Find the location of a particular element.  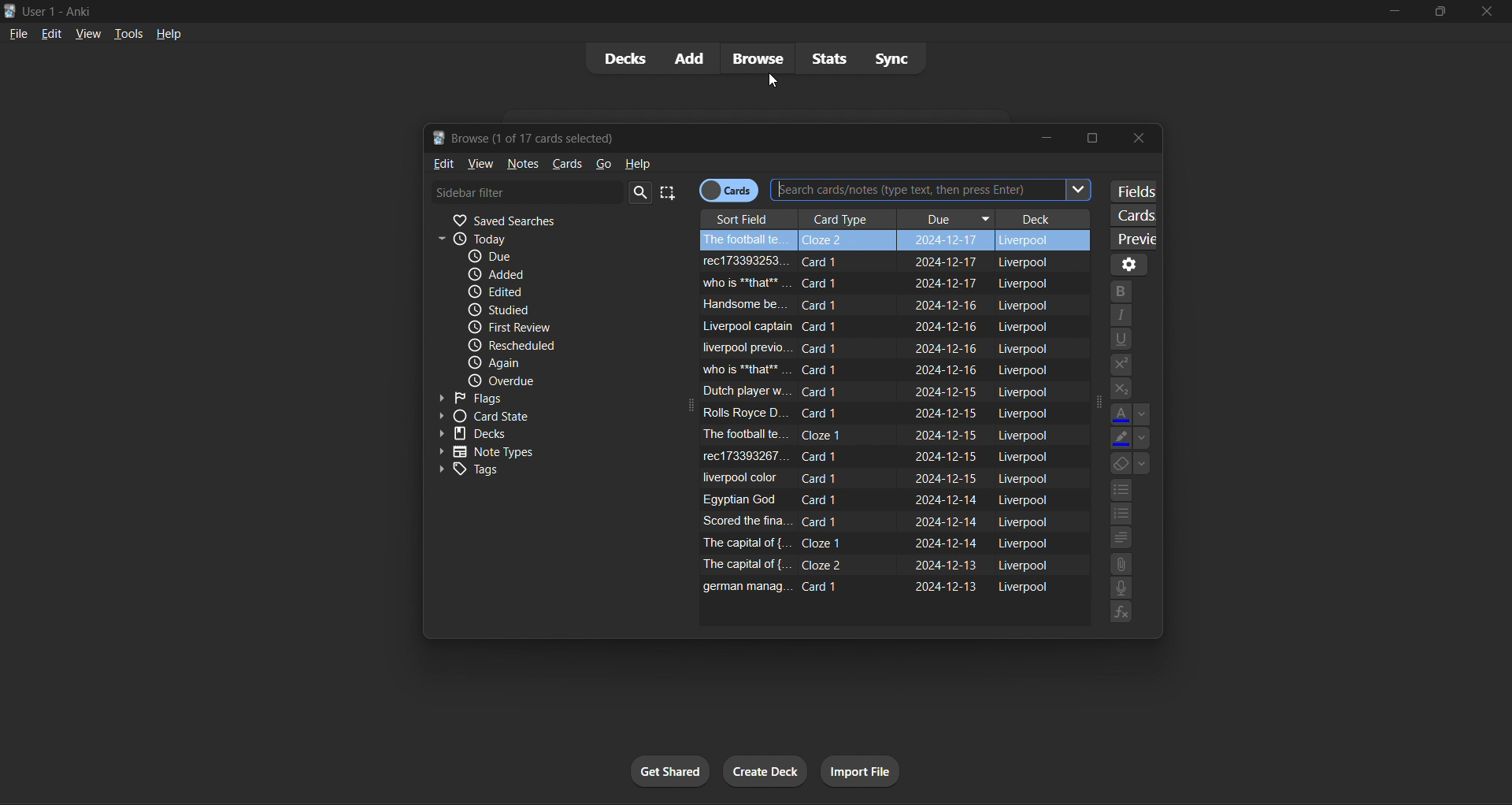

field is located at coordinates (749, 348).